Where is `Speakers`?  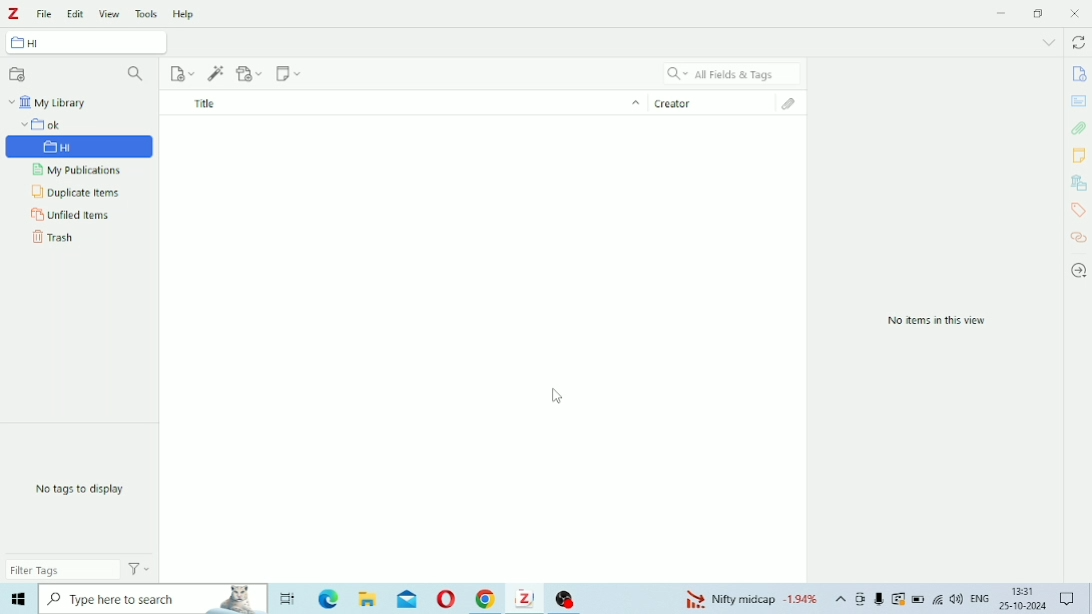
Speakers is located at coordinates (957, 599).